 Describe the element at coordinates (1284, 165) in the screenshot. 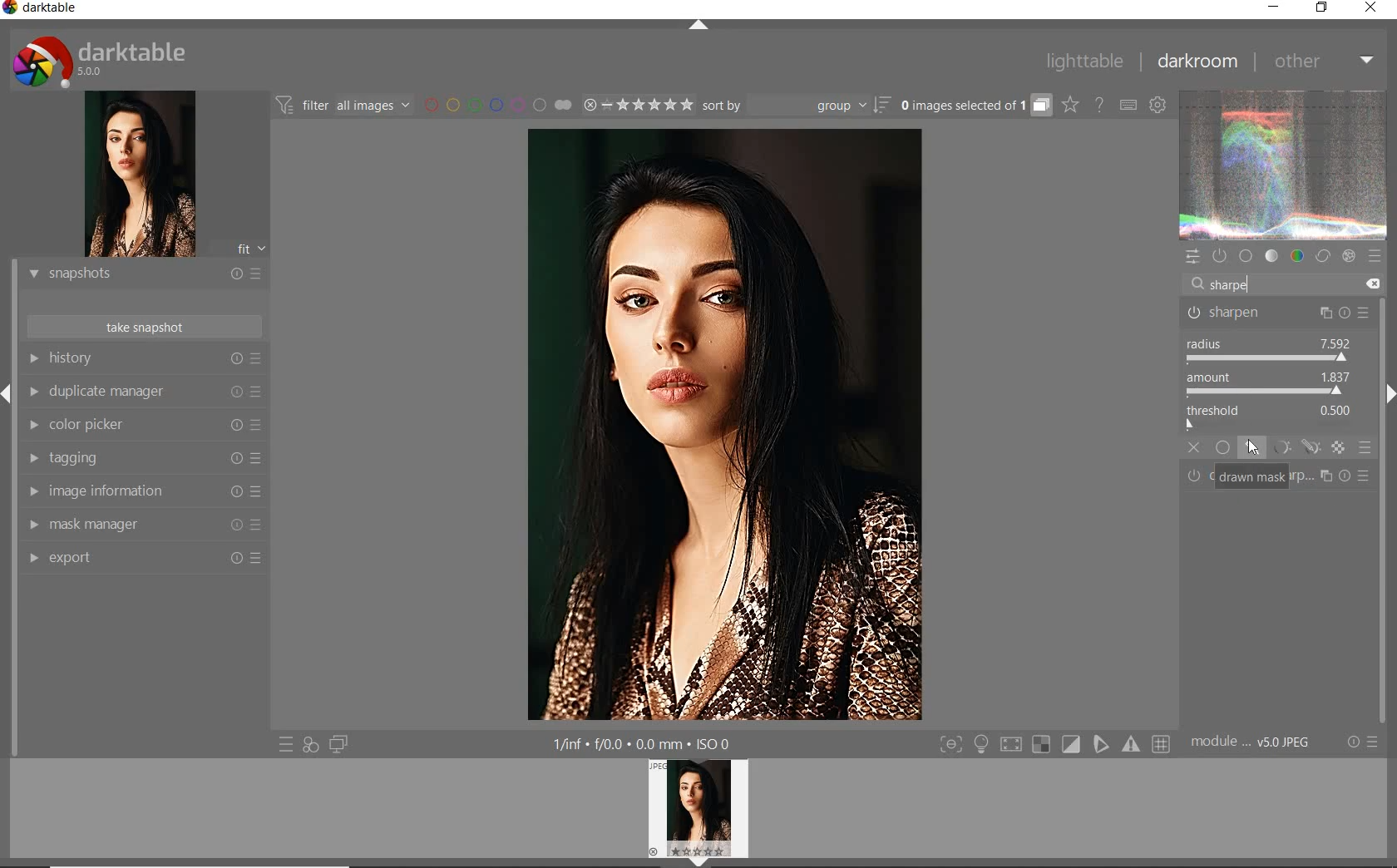

I see `waveform` at that location.